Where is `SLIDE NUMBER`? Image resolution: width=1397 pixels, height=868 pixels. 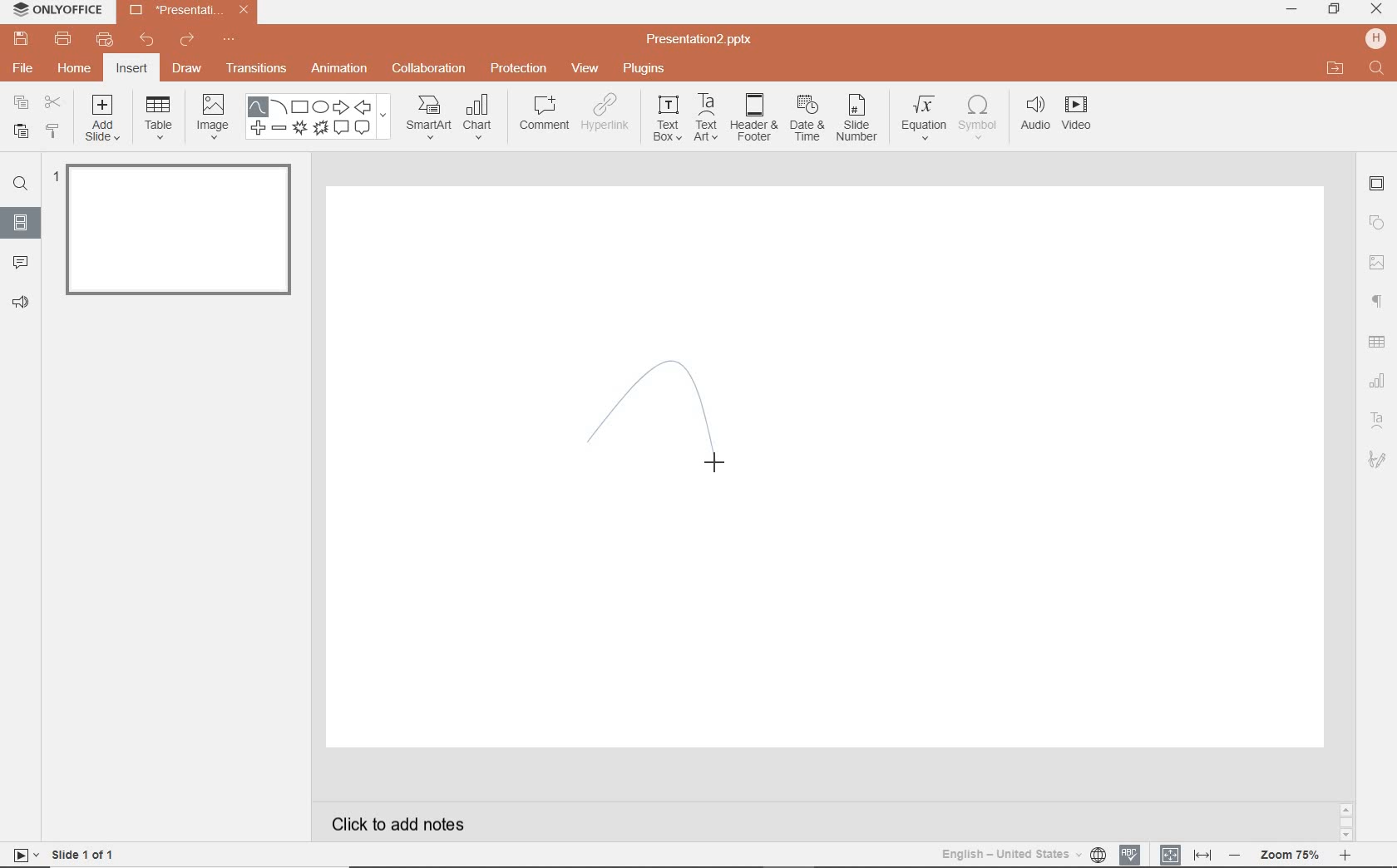
SLIDE NUMBER is located at coordinates (857, 122).